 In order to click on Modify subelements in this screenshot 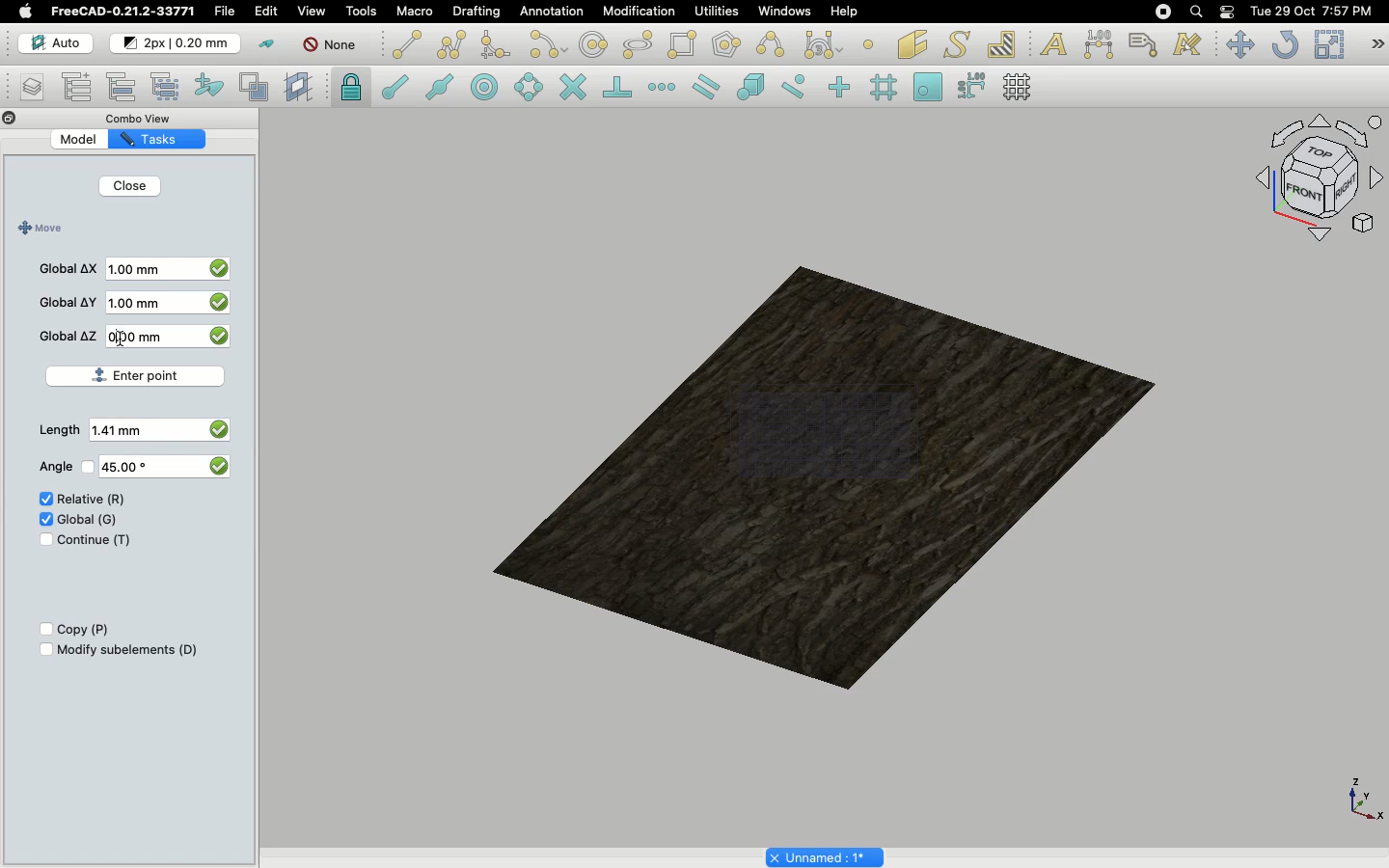, I will do `click(128, 649)`.